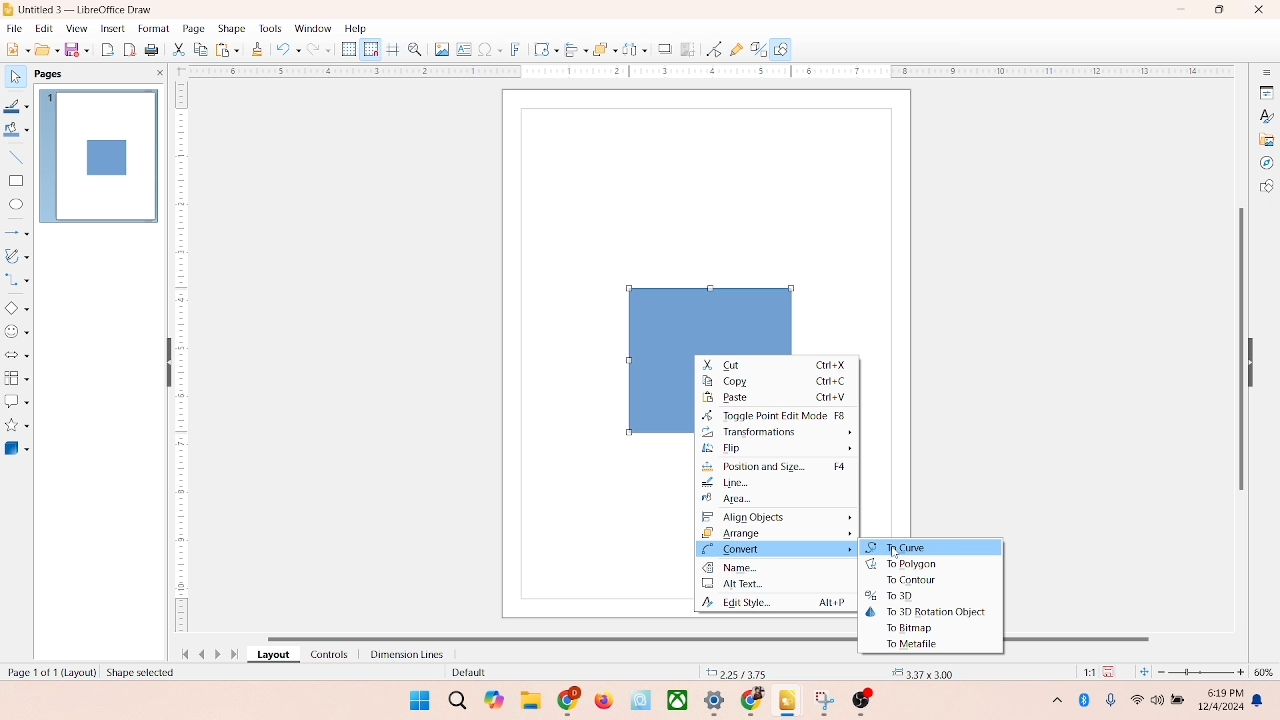 This screenshot has width=1280, height=720. Describe the element at coordinates (202, 654) in the screenshot. I see `previous page` at that location.